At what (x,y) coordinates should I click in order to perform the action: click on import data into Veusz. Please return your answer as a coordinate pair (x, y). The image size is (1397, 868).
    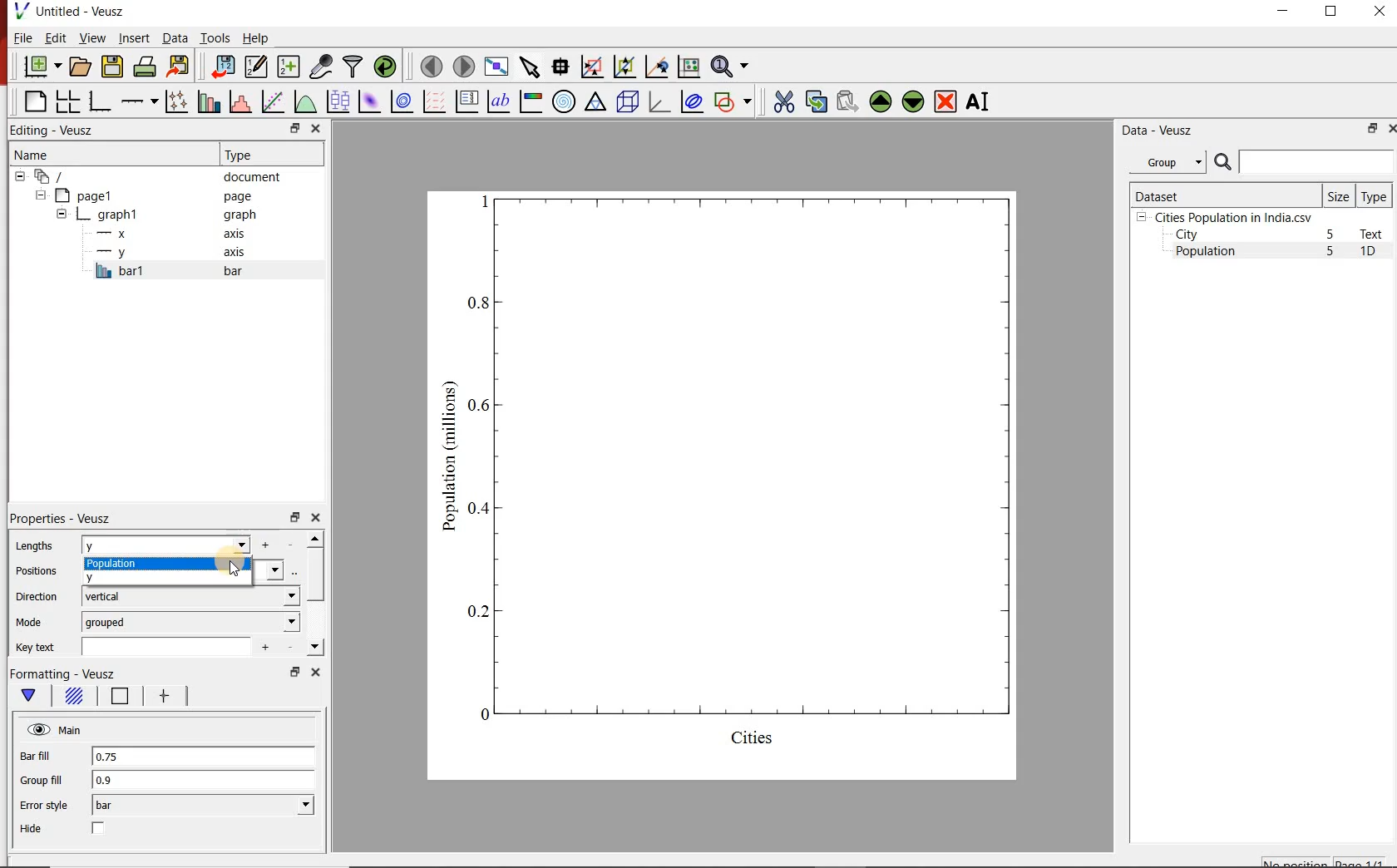
    Looking at the image, I should click on (222, 66).